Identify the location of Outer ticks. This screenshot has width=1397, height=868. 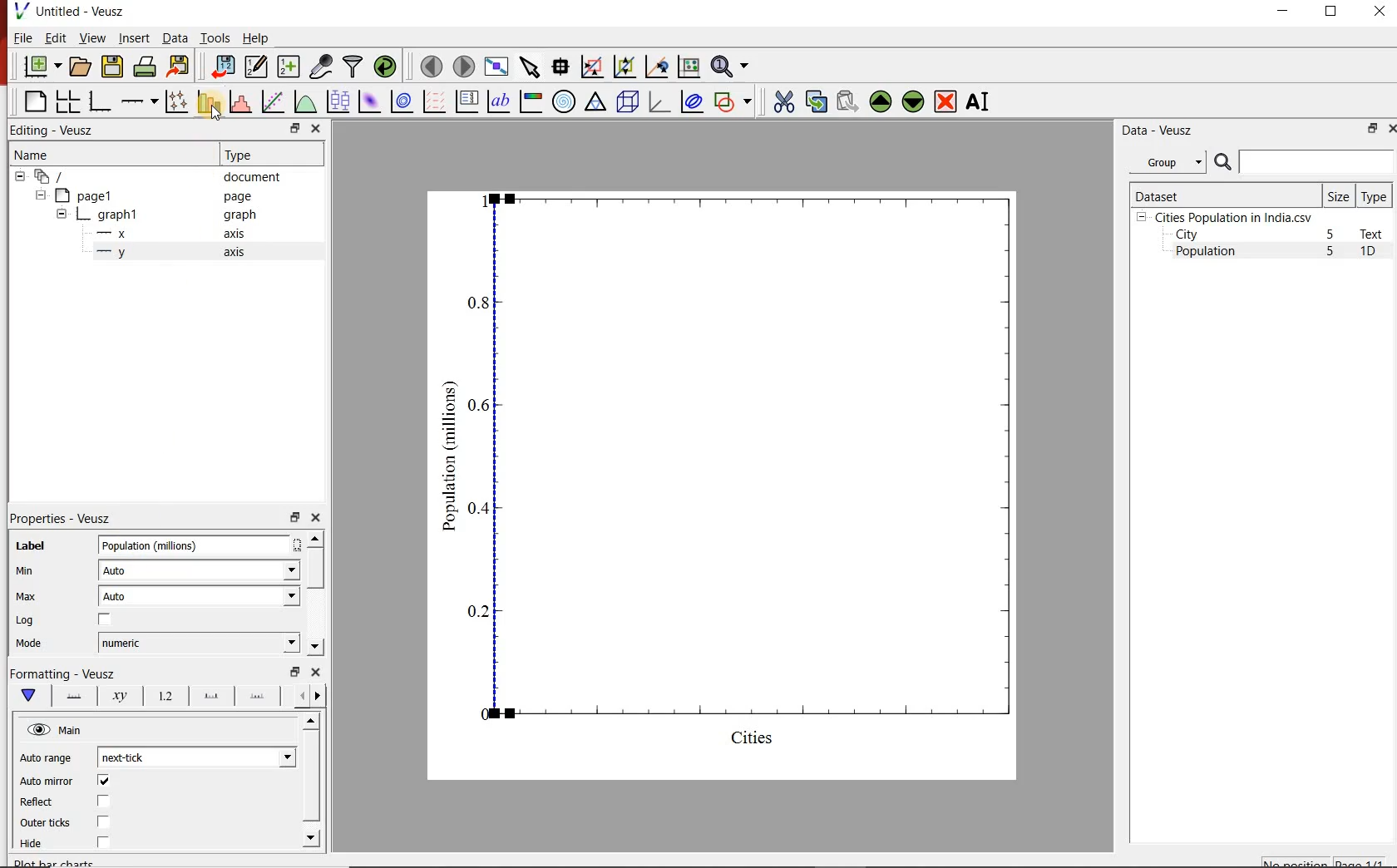
(44, 822).